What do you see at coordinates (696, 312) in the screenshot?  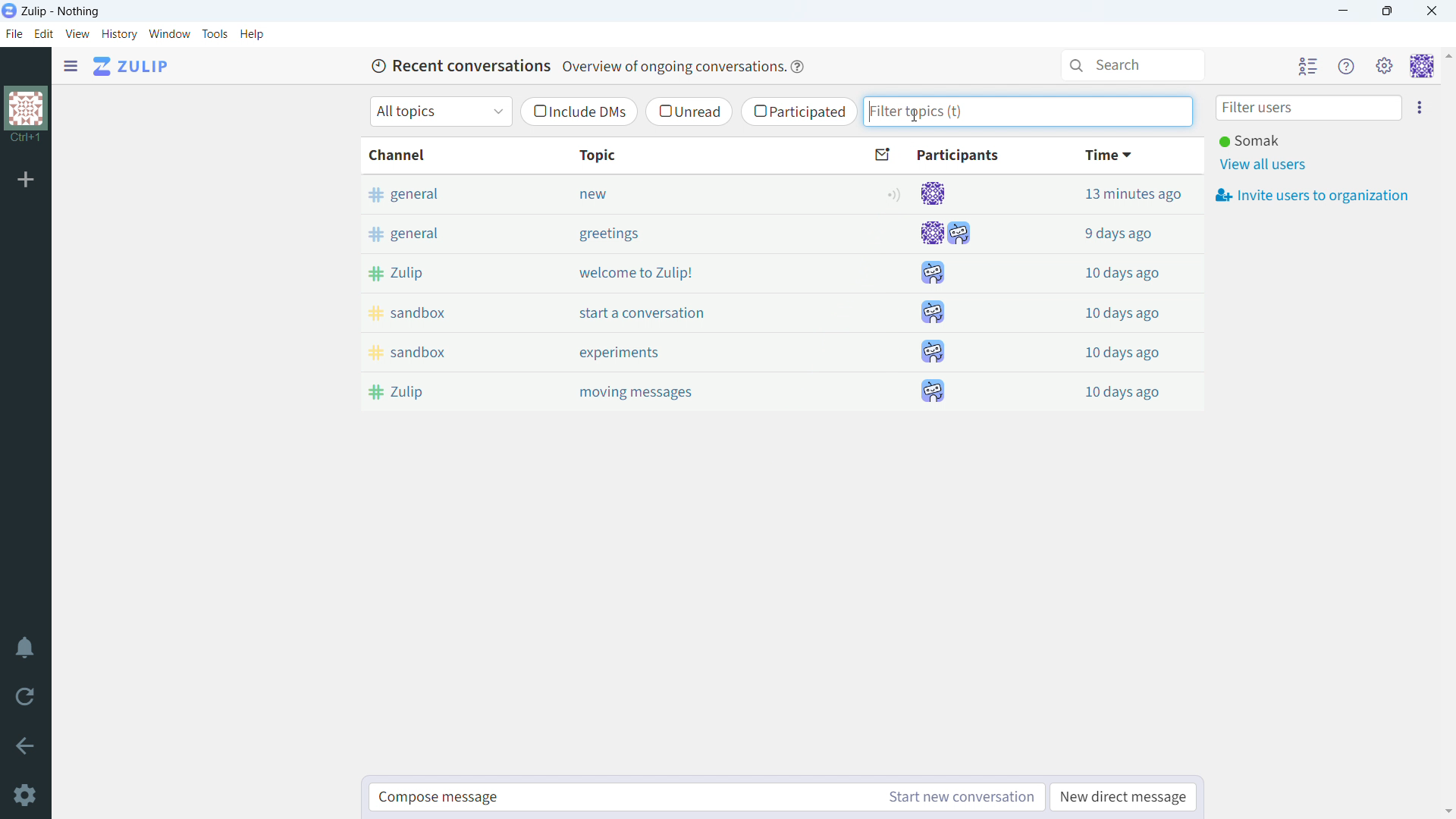 I see `start a conversation` at bounding box center [696, 312].